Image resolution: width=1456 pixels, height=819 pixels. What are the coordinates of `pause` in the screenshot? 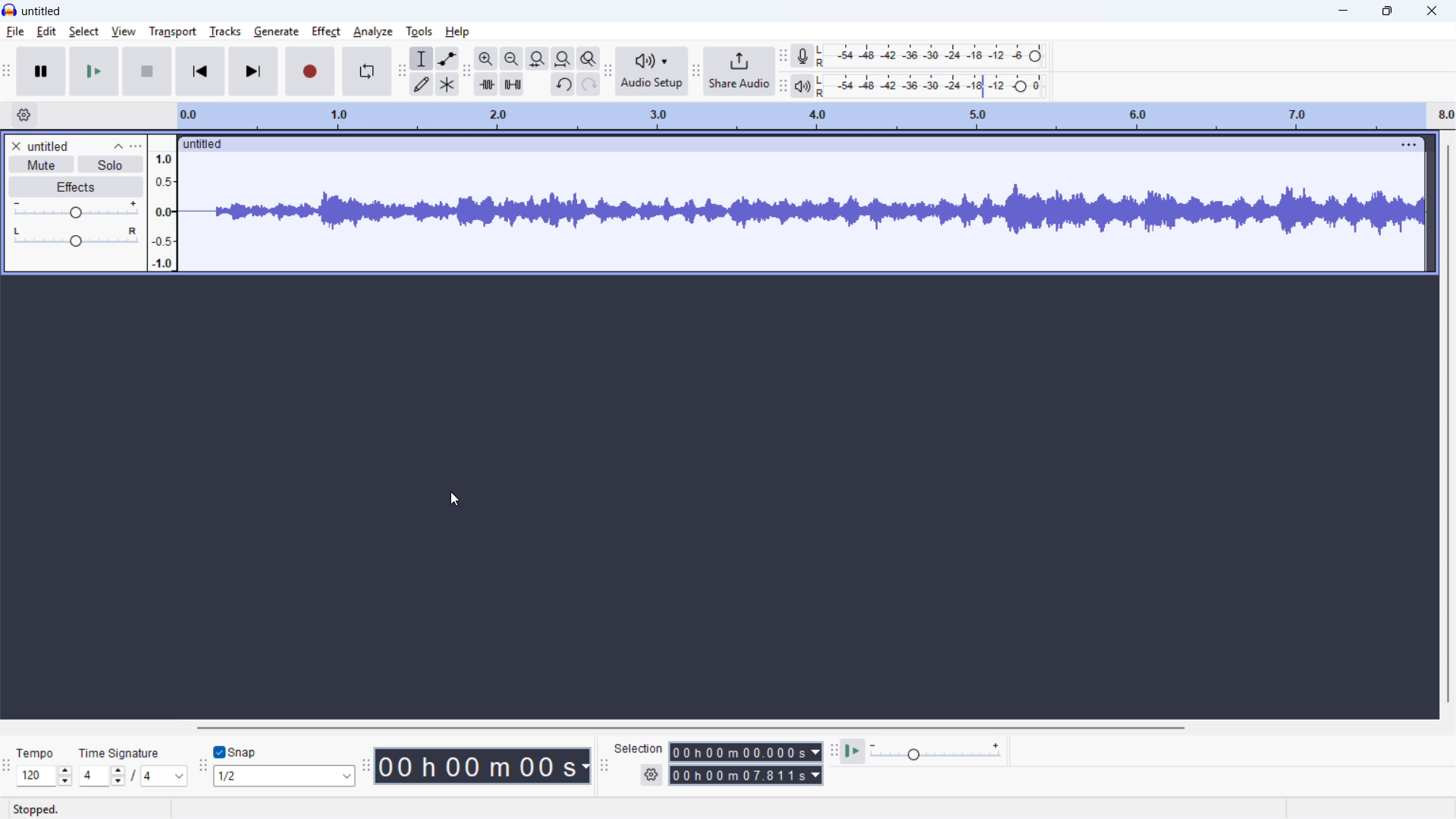 It's located at (42, 72).